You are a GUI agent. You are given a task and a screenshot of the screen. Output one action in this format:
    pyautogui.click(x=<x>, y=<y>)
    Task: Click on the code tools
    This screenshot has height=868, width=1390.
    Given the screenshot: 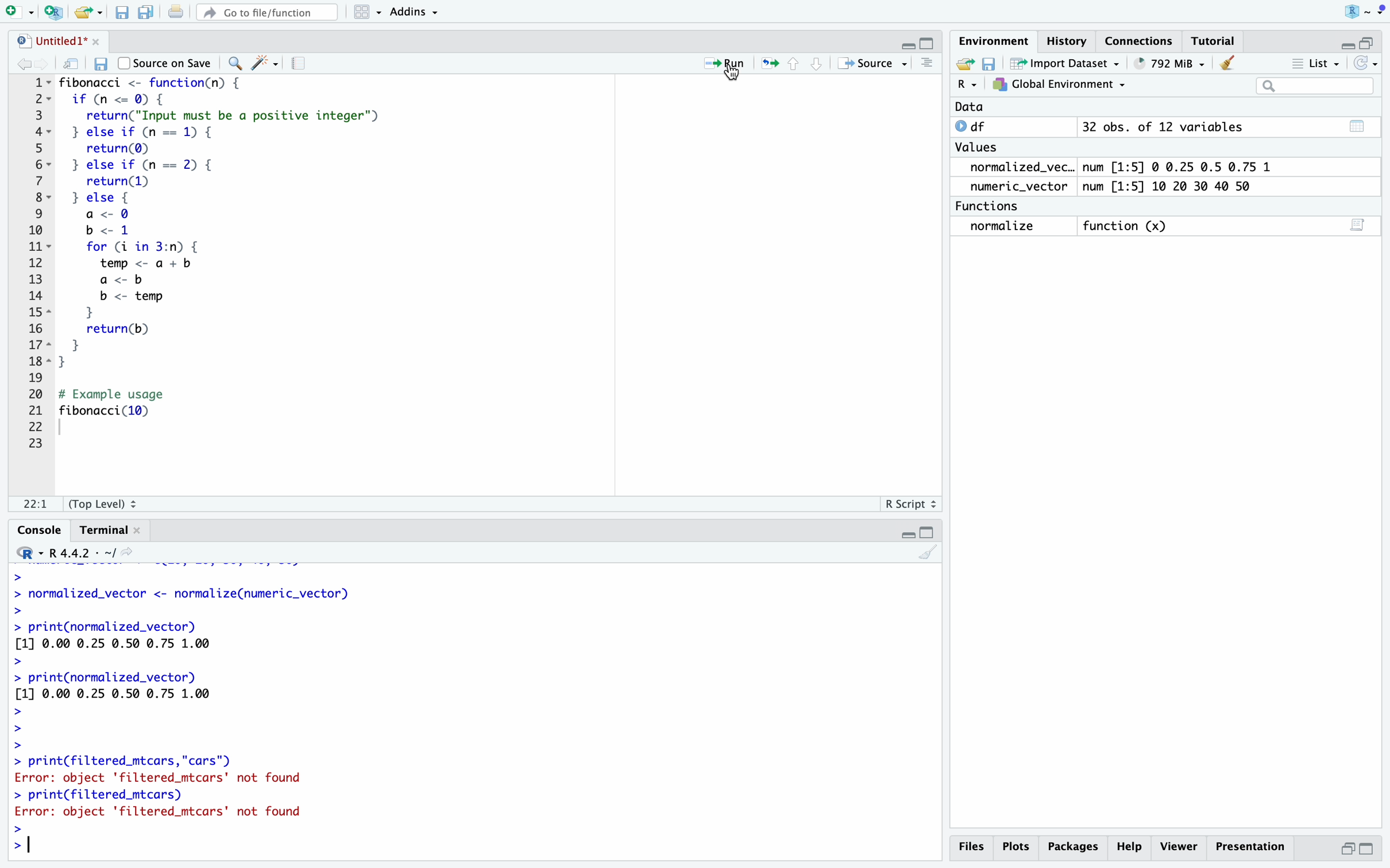 What is the action you would take?
    pyautogui.click(x=265, y=61)
    